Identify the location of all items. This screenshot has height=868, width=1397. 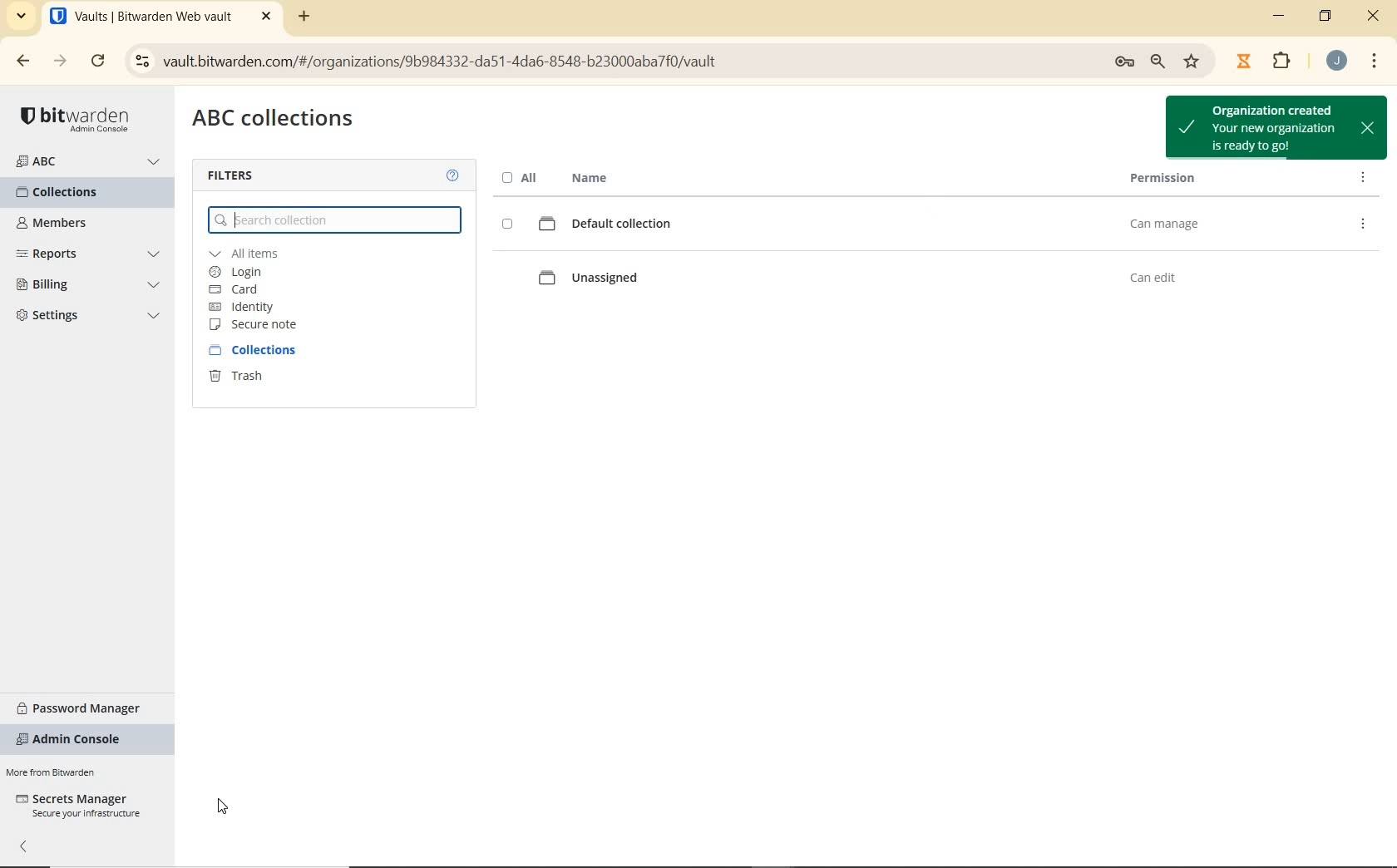
(242, 254).